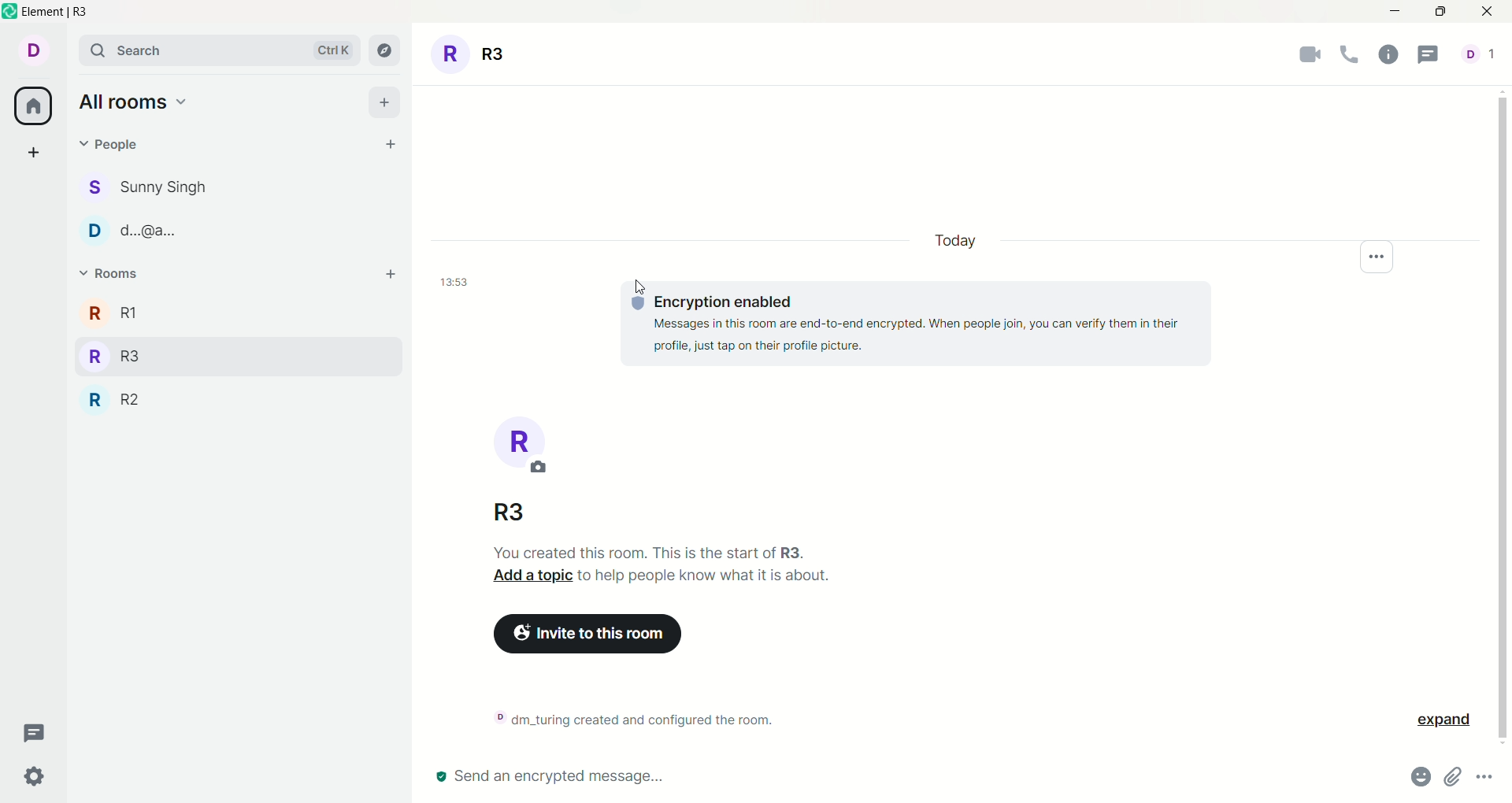  I want to click on account, so click(31, 50).